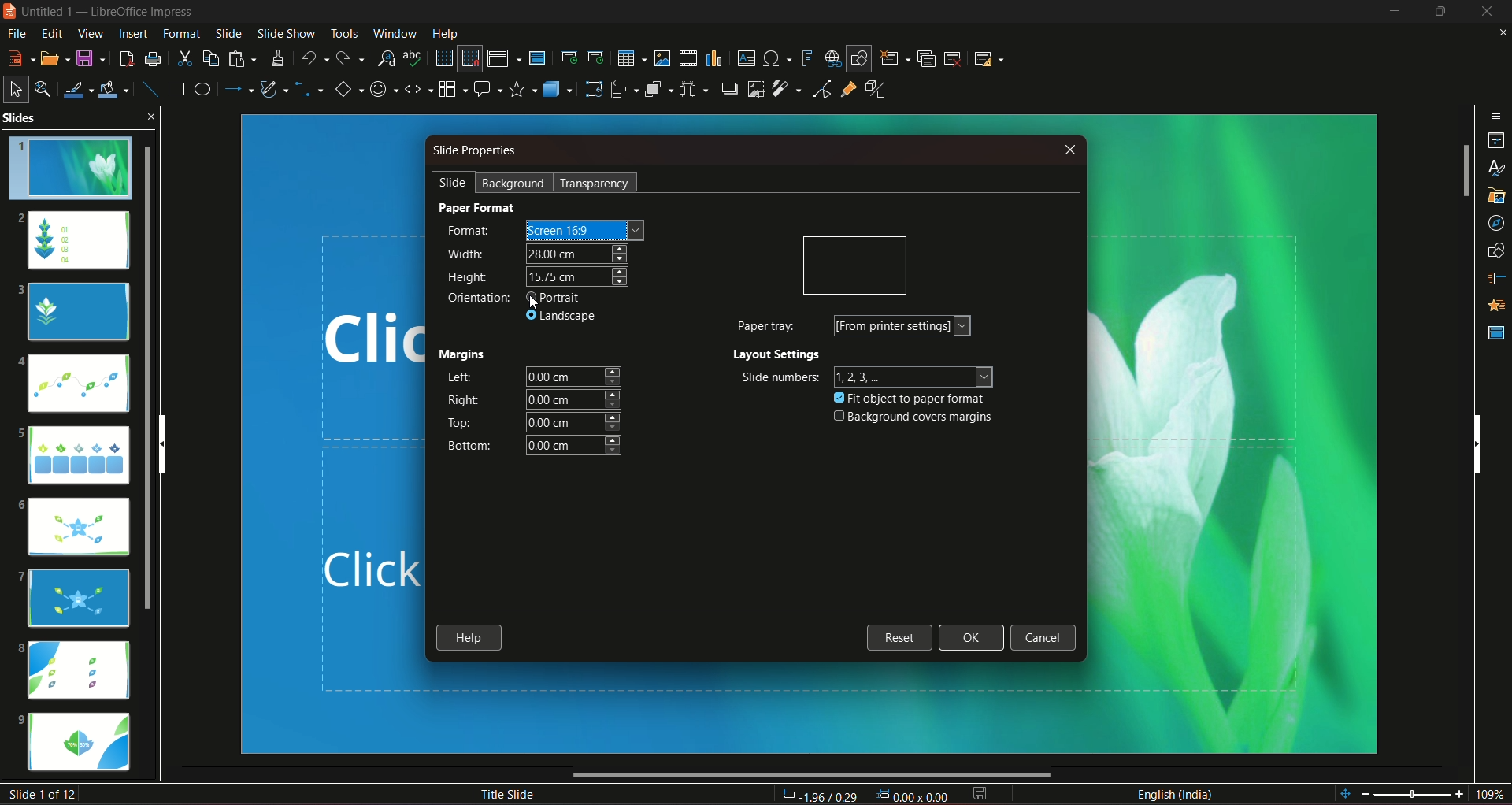 The image size is (1512, 805). I want to click on format, so click(469, 232).